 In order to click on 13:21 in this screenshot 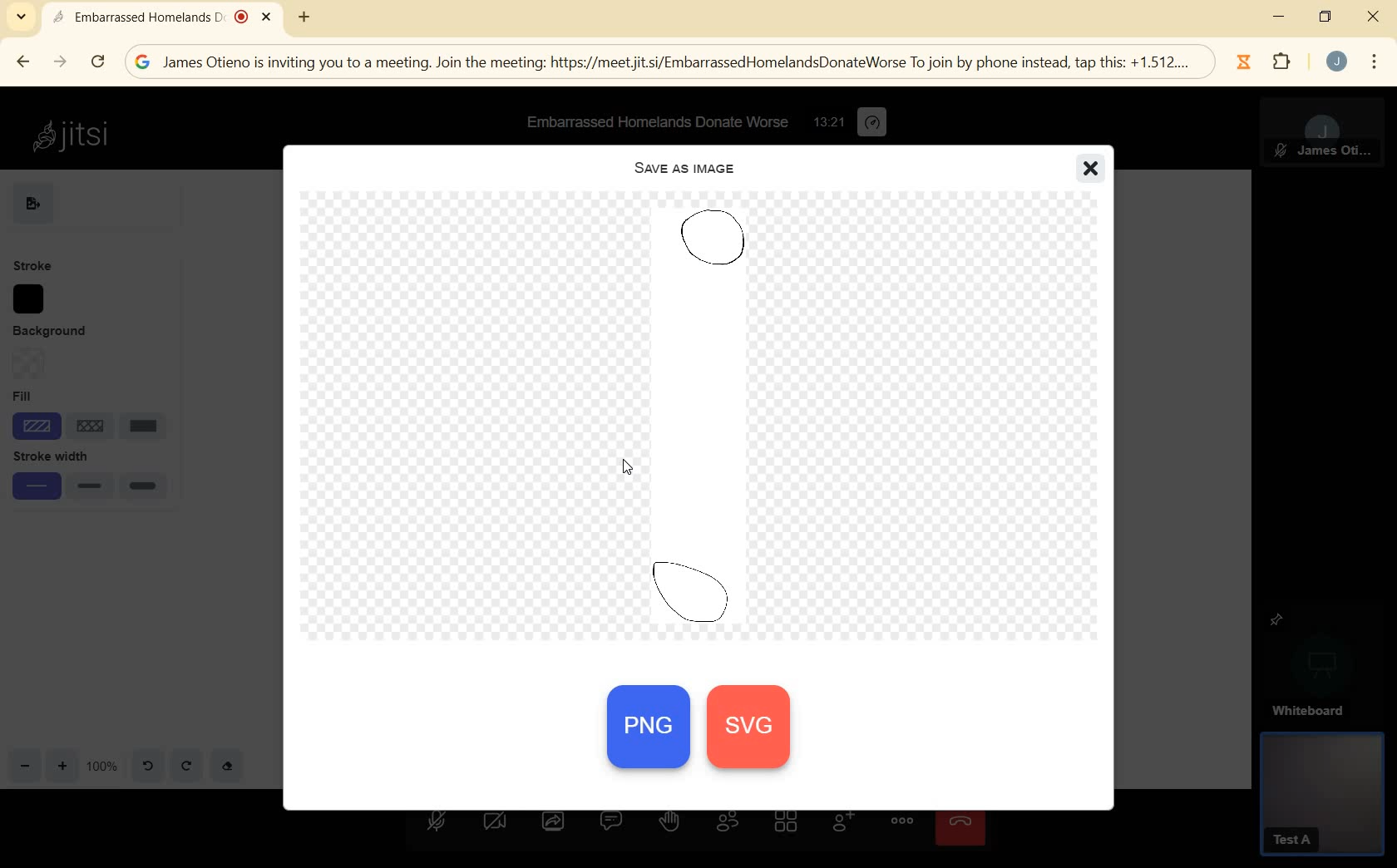, I will do `click(828, 120)`.